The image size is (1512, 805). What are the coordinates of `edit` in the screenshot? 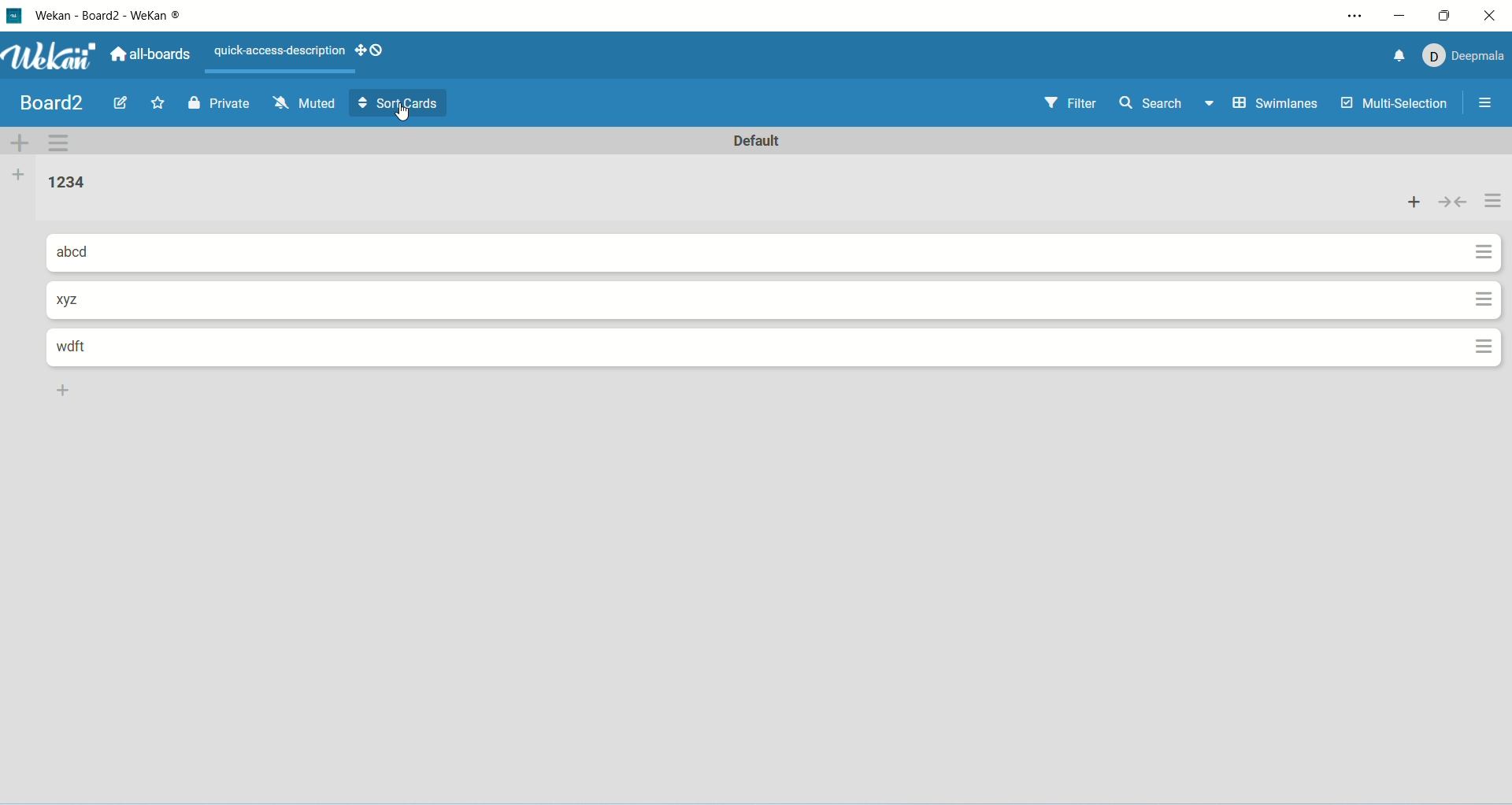 It's located at (120, 101).